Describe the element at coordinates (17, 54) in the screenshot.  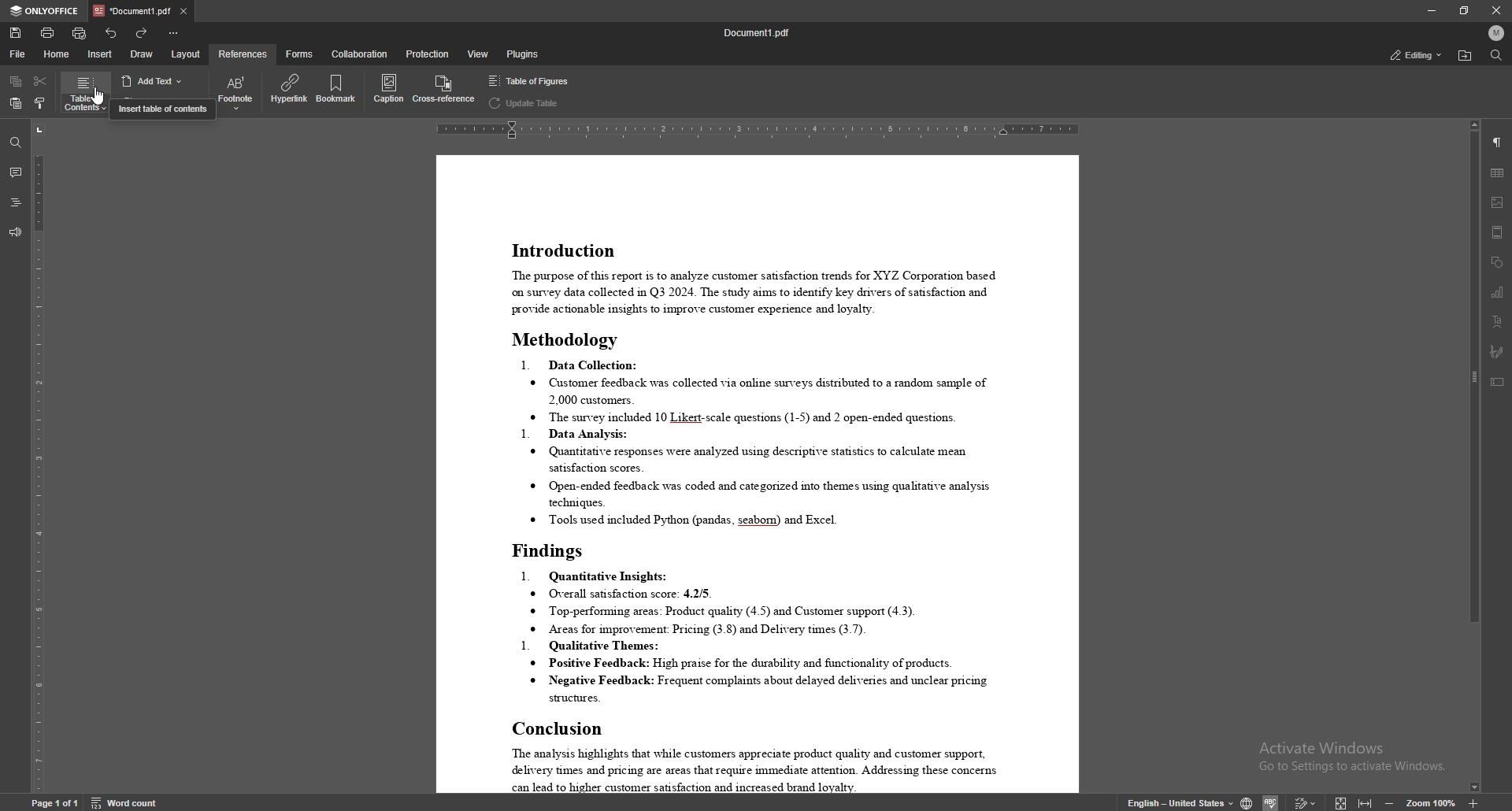
I see `file` at that location.